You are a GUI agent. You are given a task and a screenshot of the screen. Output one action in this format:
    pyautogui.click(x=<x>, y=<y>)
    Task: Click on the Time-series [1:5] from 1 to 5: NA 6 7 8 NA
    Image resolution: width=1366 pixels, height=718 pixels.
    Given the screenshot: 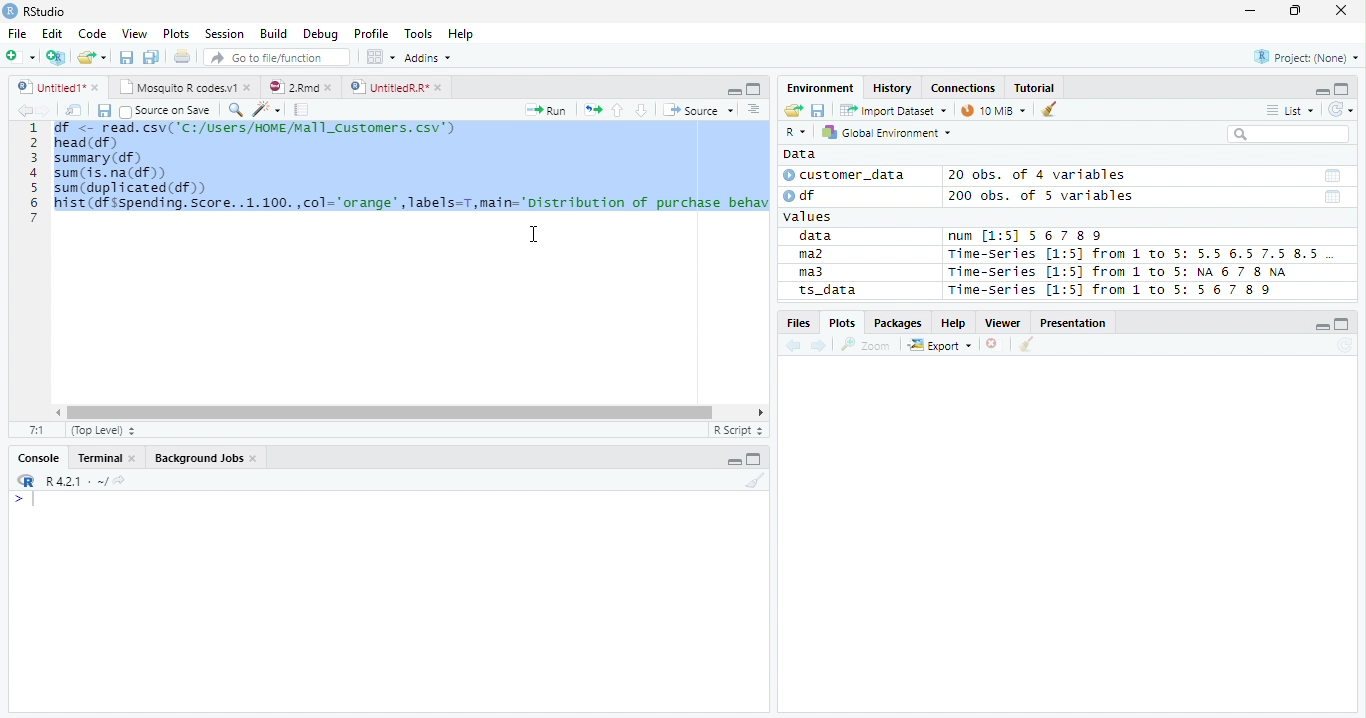 What is the action you would take?
    pyautogui.click(x=1126, y=273)
    